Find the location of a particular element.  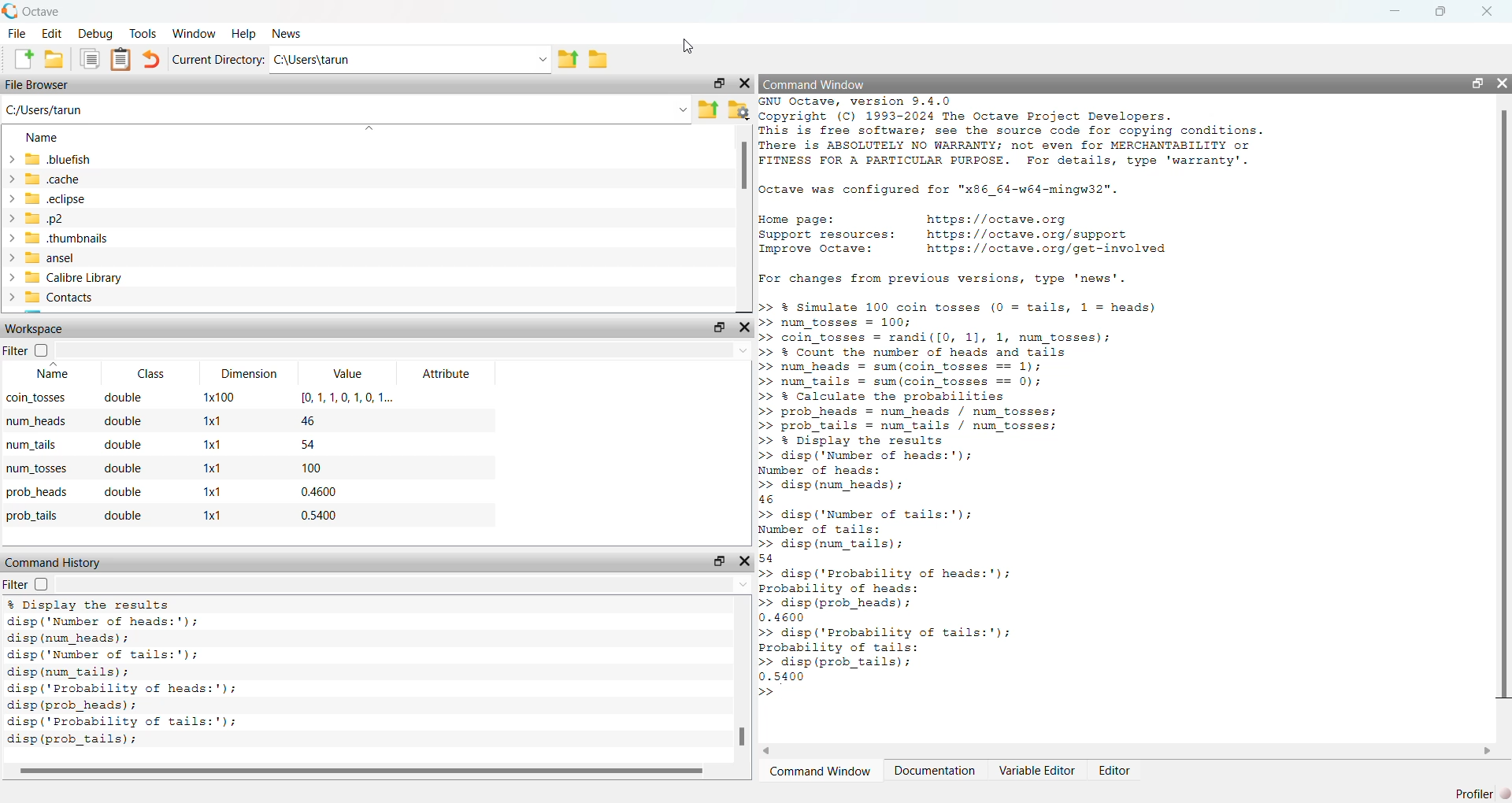

Editor is located at coordinates (1115, 770).